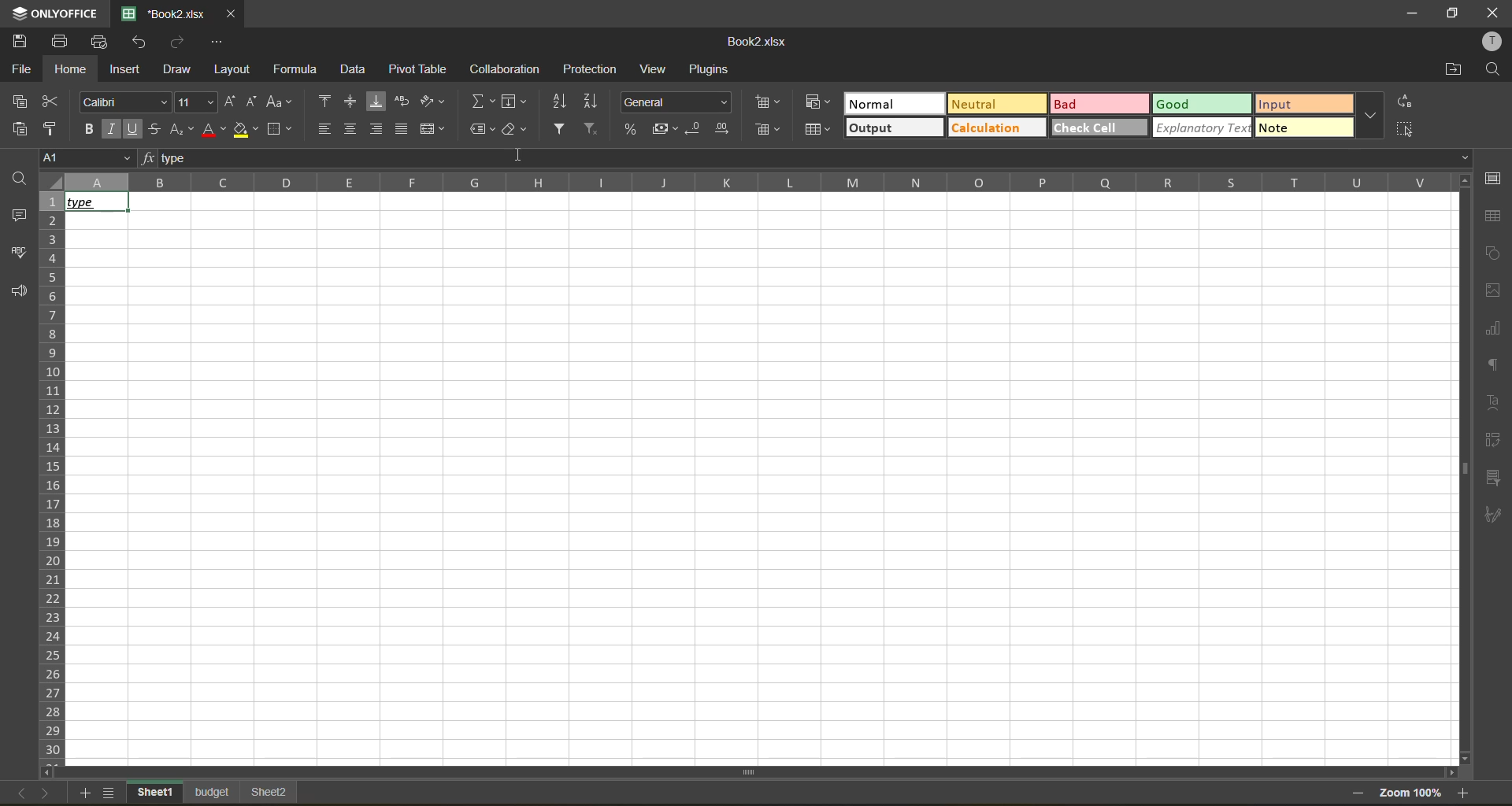 Image resolution: width=1512 pixels, height=806 pixels. I want to click on percent, so click(631, 131).